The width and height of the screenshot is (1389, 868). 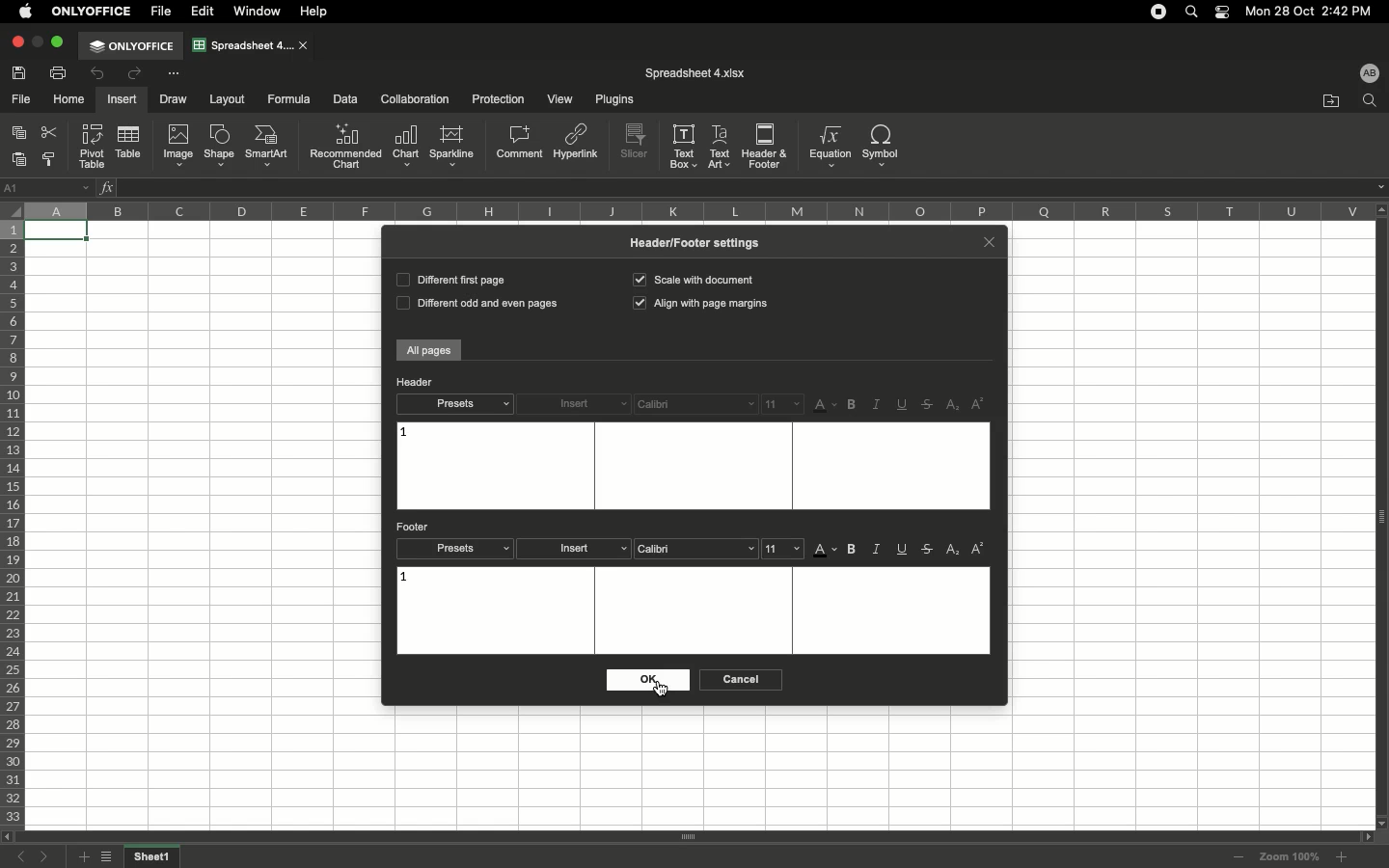 I want to click on Insert, so click(x=578, y=549).